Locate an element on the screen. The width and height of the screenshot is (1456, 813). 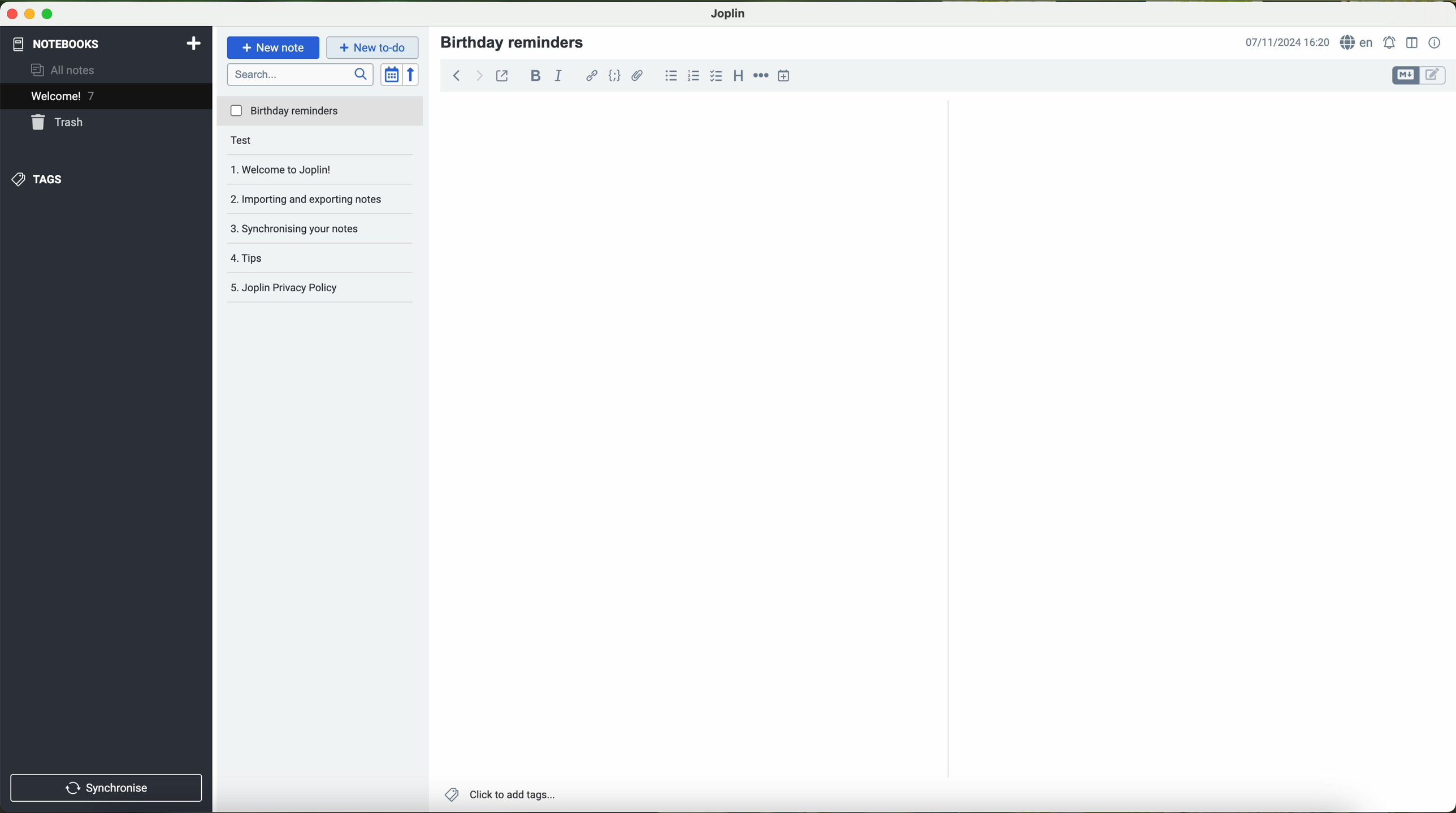
back arrow is located at coordinates (466, 74).